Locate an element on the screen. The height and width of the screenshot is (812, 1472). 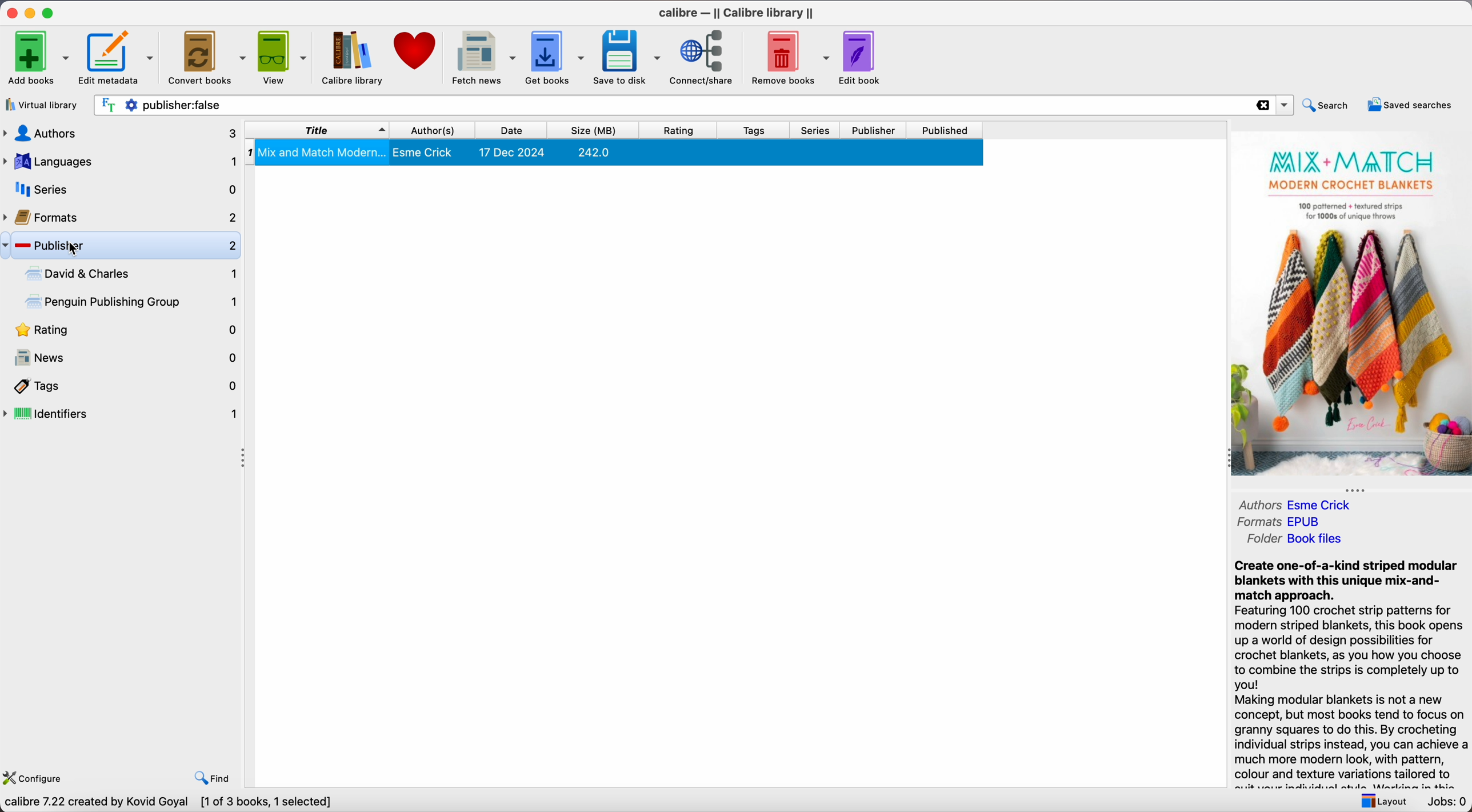
convert books is located at coordinates (207, 56).